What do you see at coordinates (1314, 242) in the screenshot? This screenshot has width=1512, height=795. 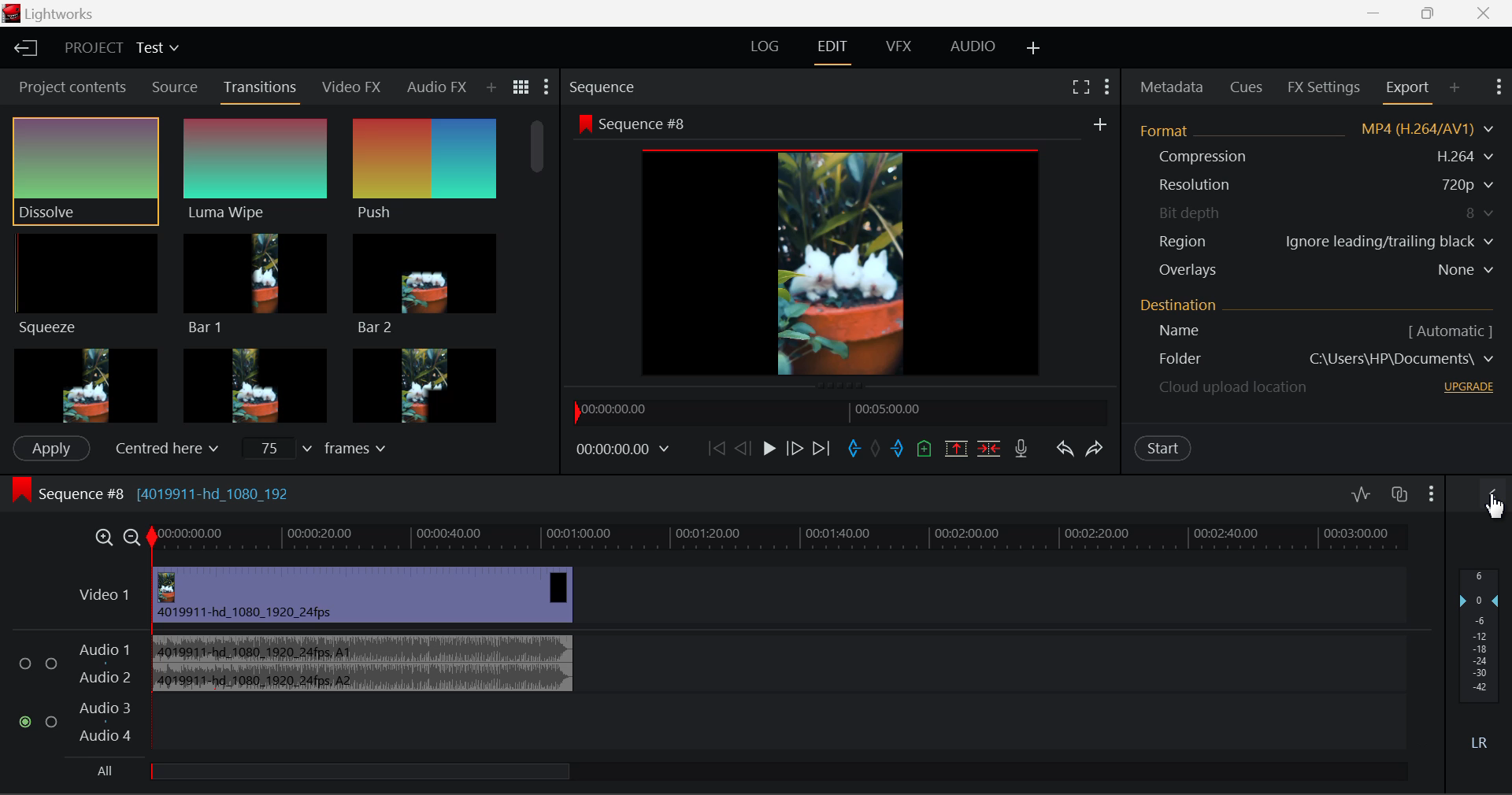 I see `Region` at bounding box center [1314, 242].